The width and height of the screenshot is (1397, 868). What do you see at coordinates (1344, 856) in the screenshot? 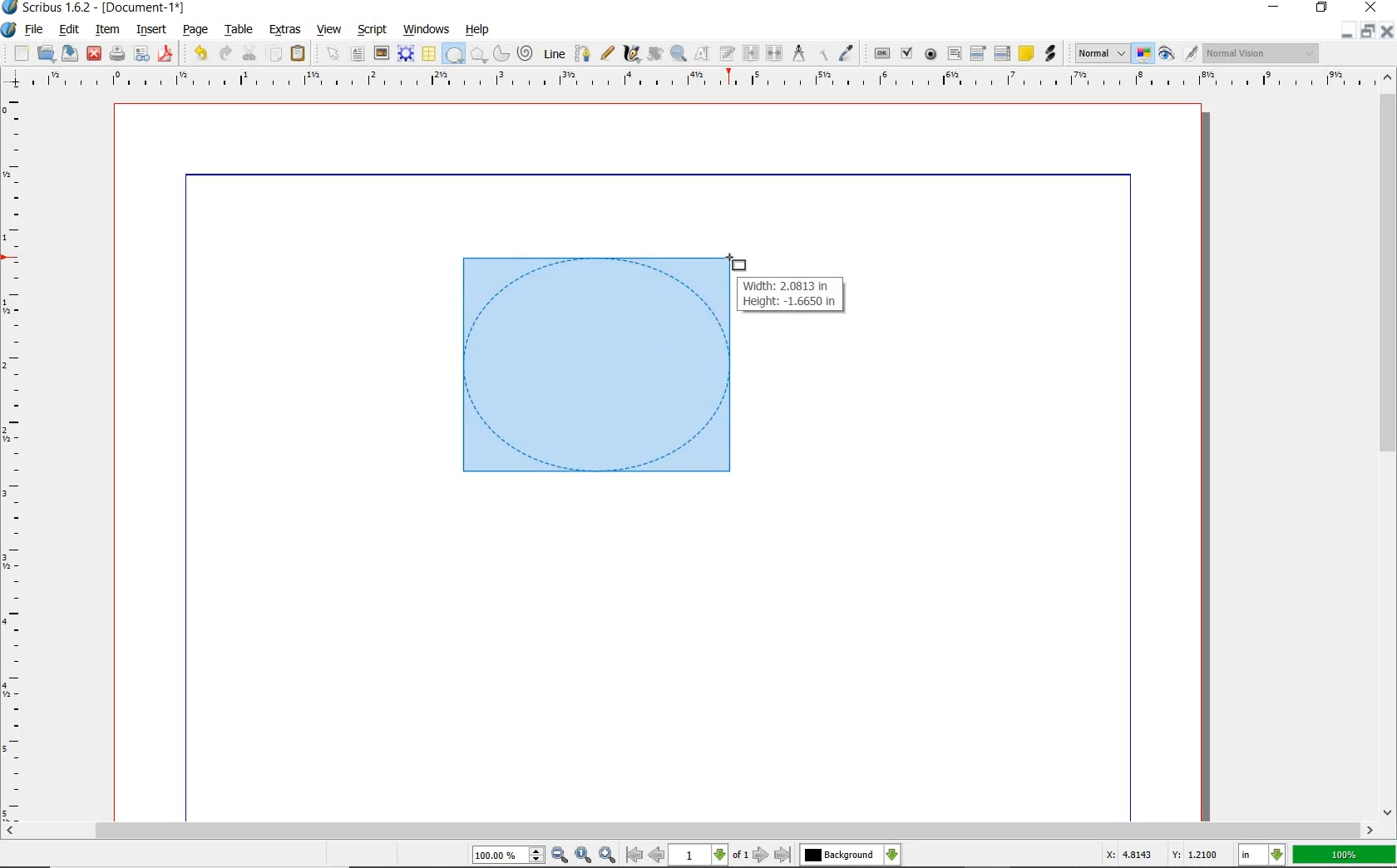
I see `ZOOM FACTOR` at bounding box center [1344, 856].